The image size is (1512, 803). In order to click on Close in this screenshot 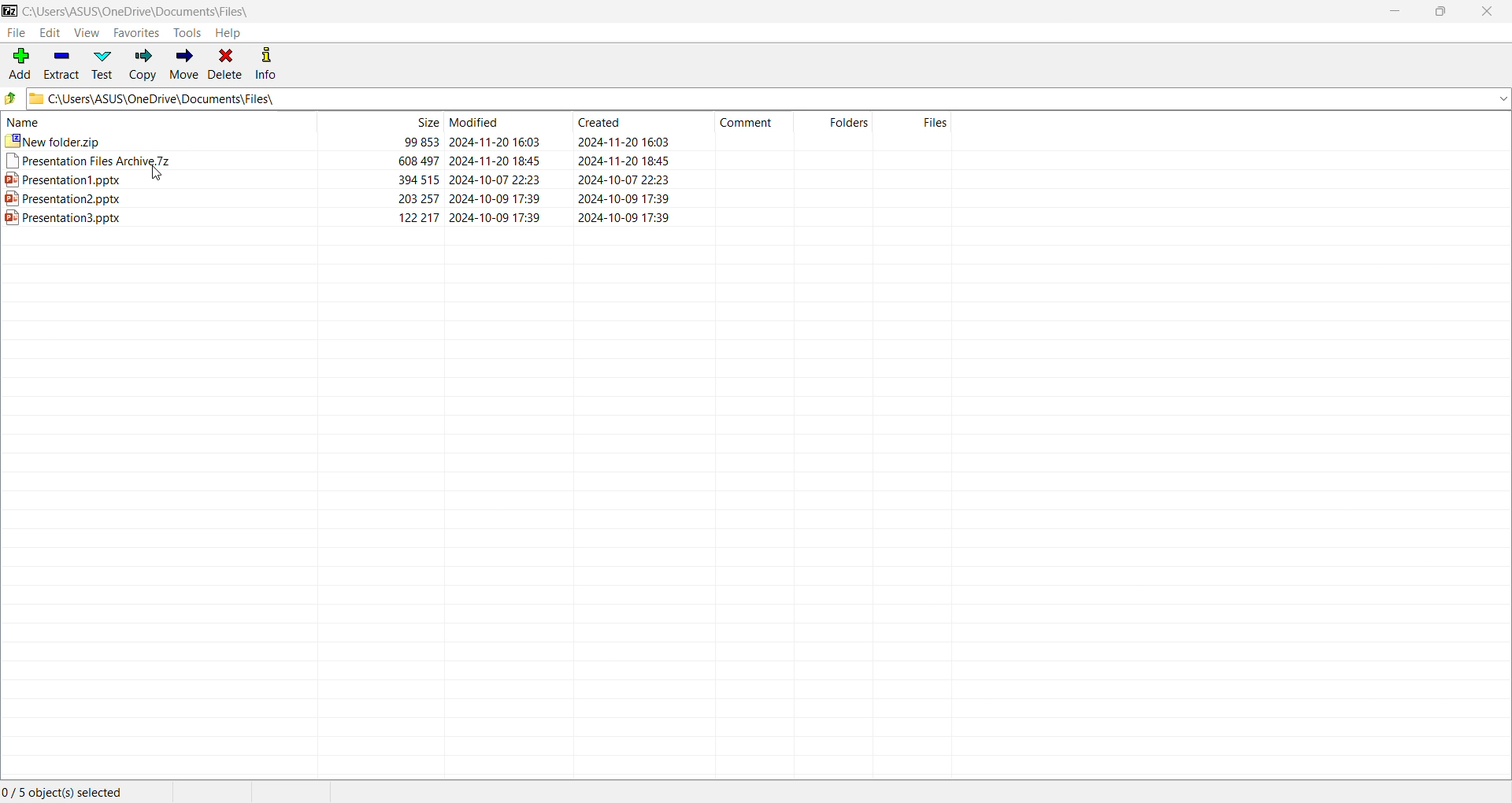, I will do `click(1487, 13)`.